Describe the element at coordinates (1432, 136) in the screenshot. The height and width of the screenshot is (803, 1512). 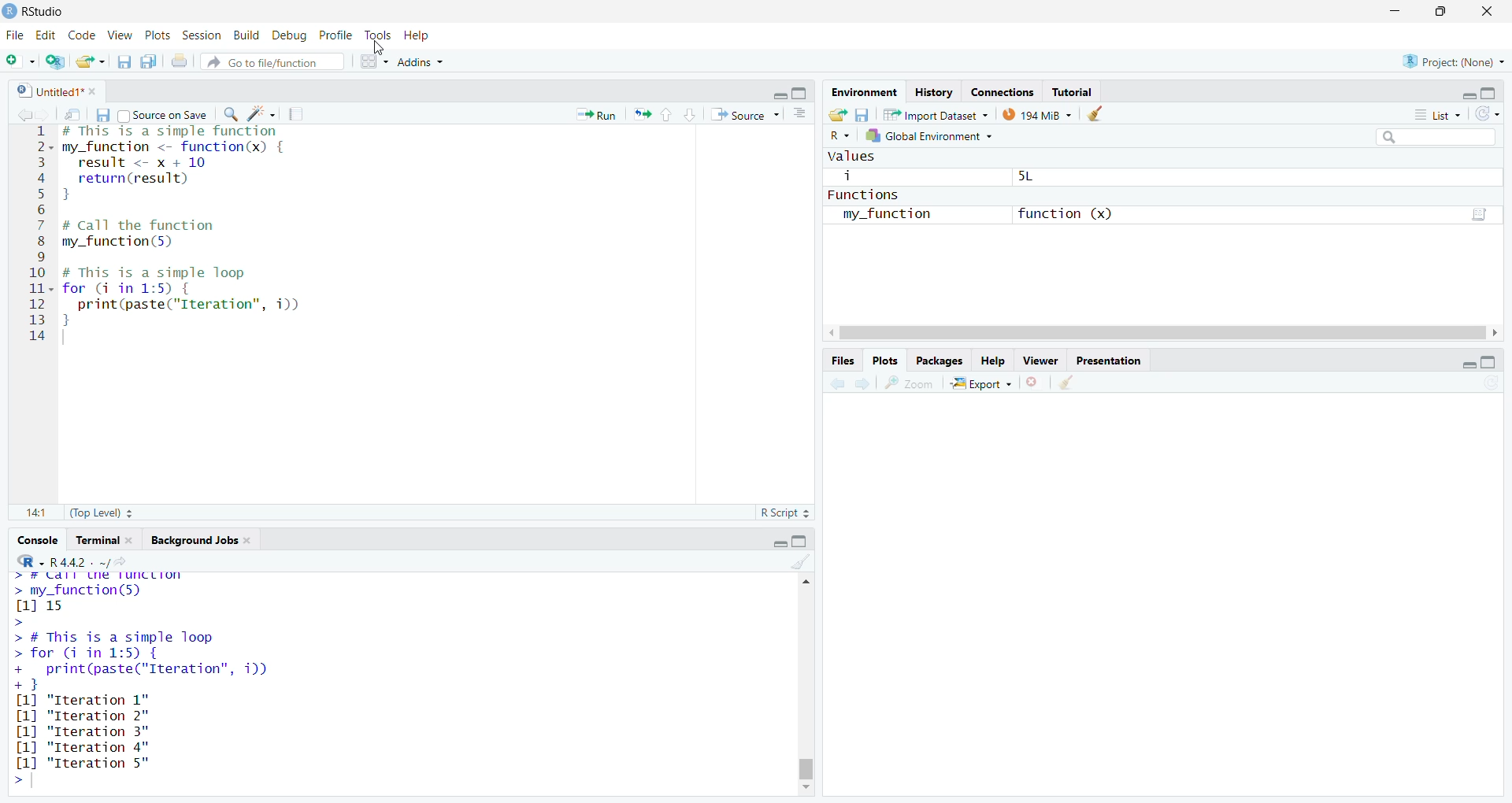
I see `search field` at that location.